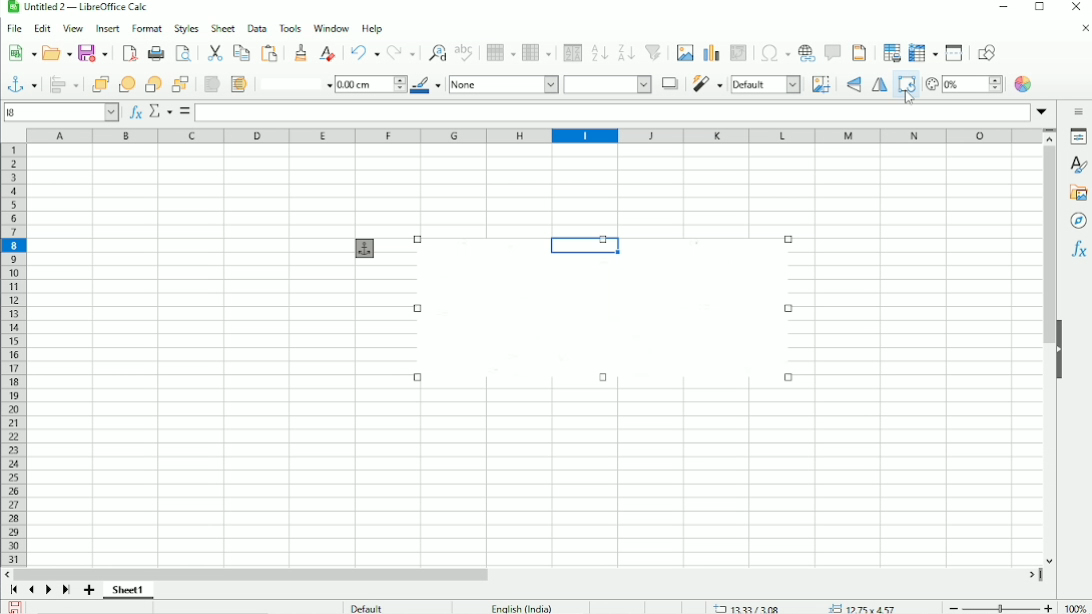 Image resolution: width=1092 pixels, height=614 pixels. I want to click on Spell check, so click(466, 52).